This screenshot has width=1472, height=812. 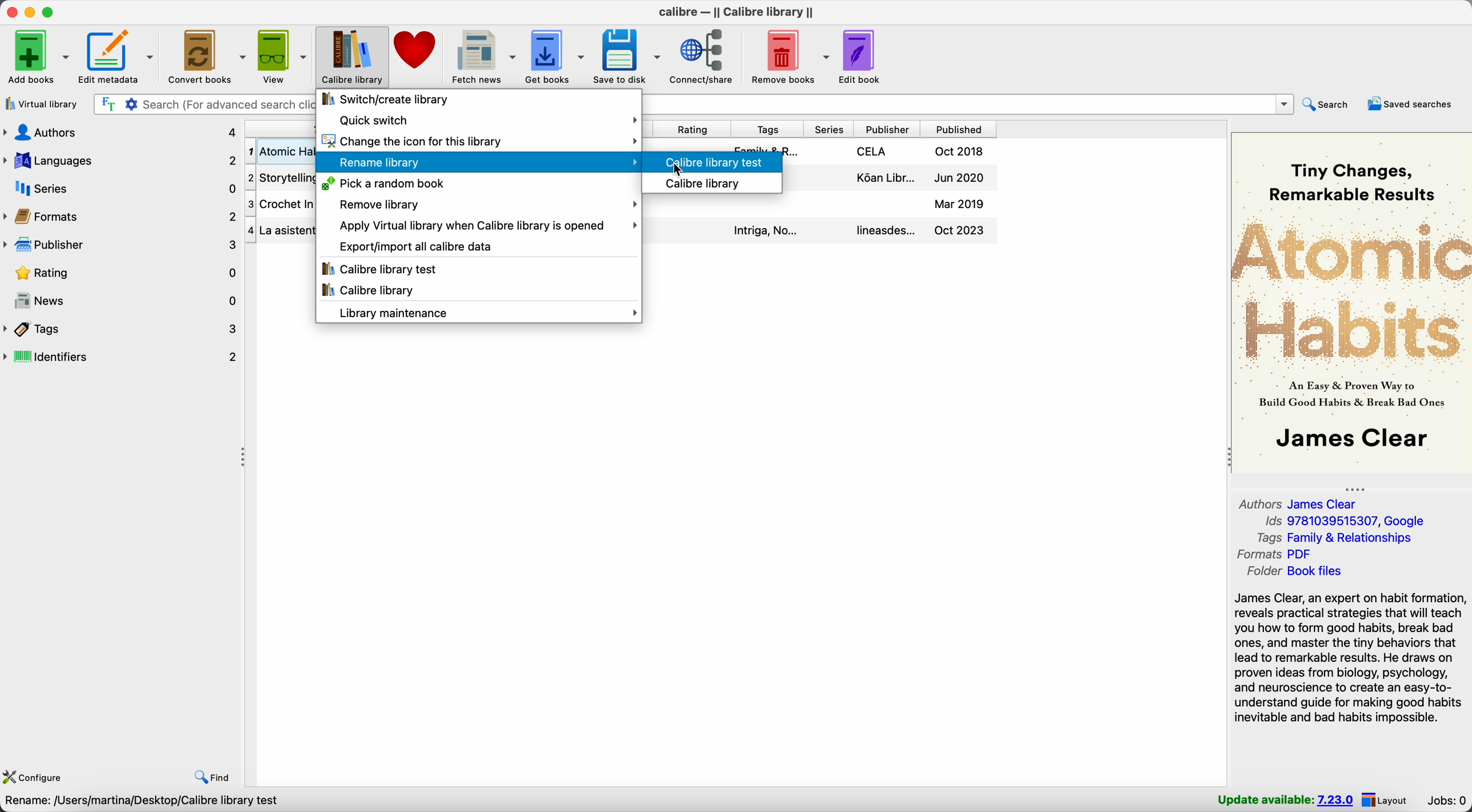 I want to click on saved searches, so click(x=1410, y=105).